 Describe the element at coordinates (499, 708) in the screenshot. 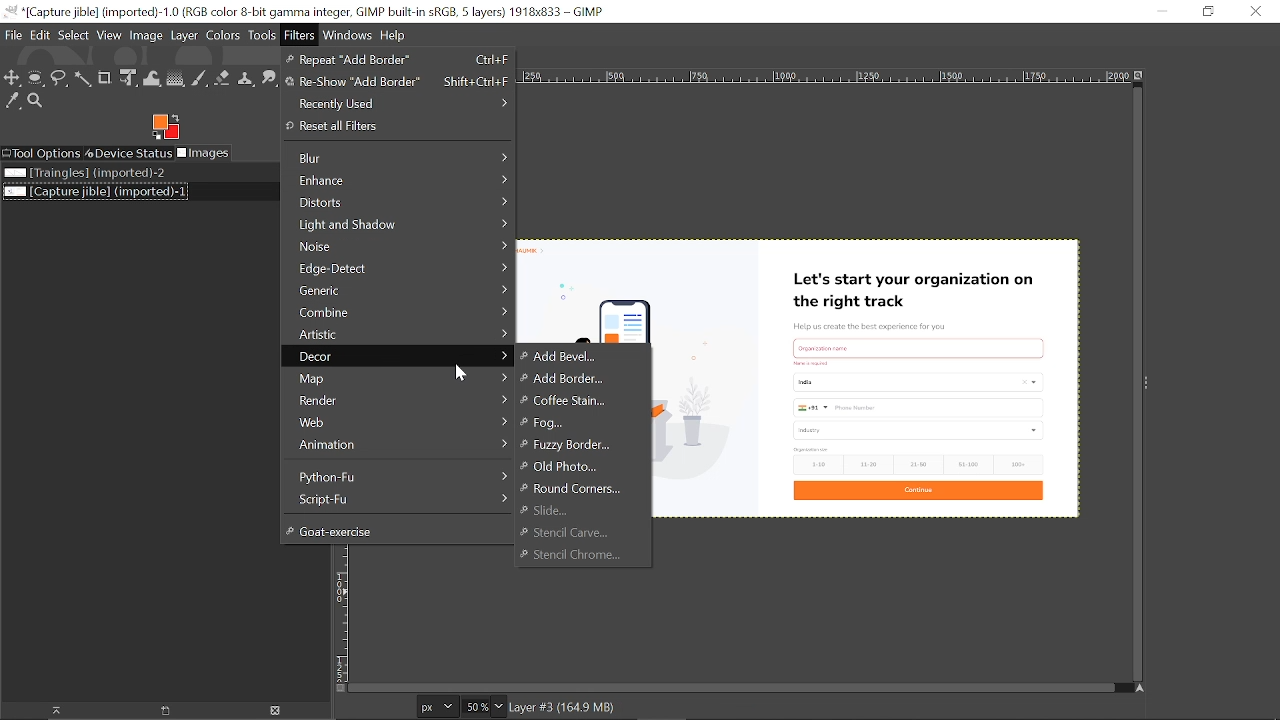

I see `Zoom options` at that location.